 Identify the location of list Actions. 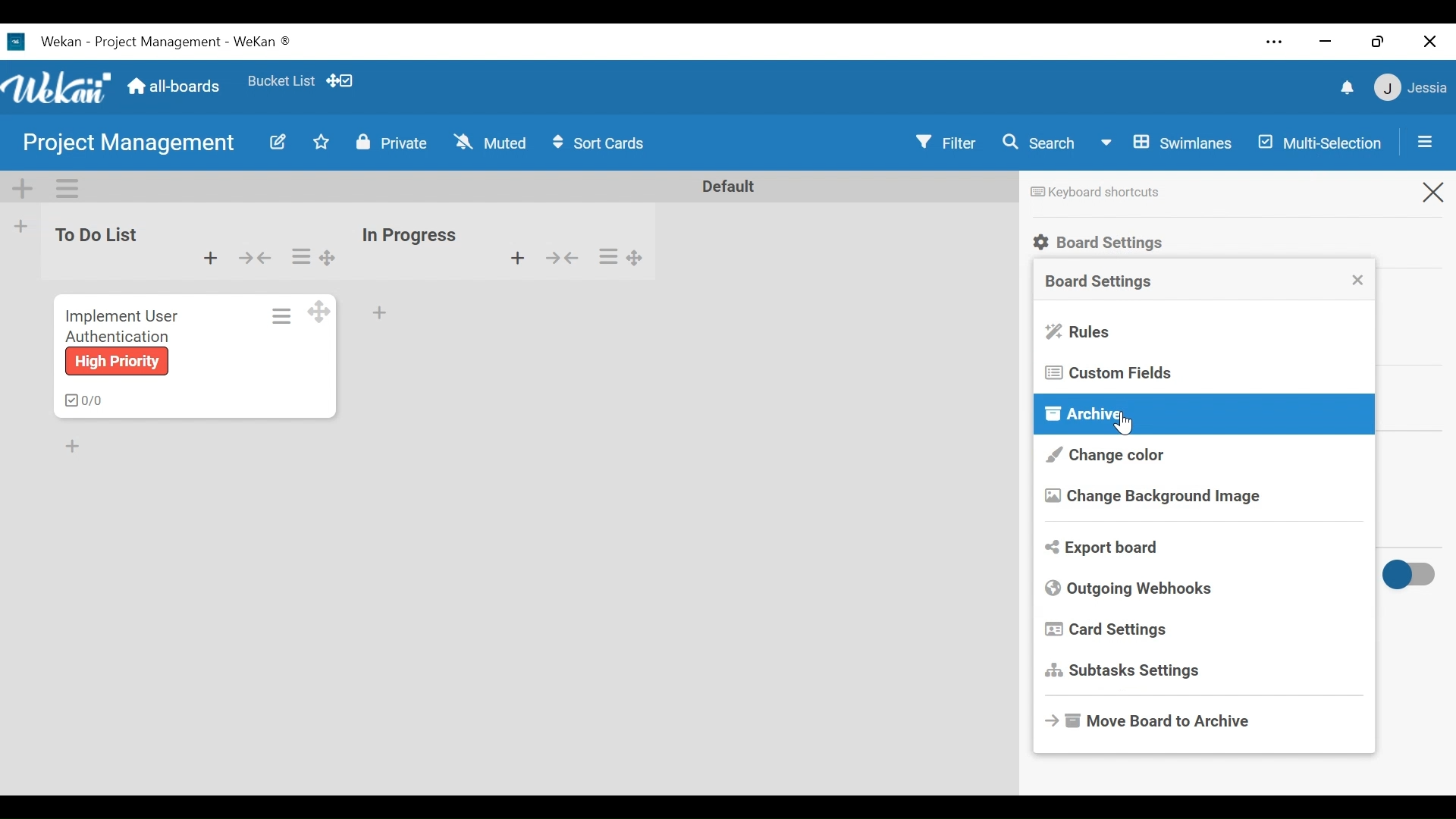
(300, 257).